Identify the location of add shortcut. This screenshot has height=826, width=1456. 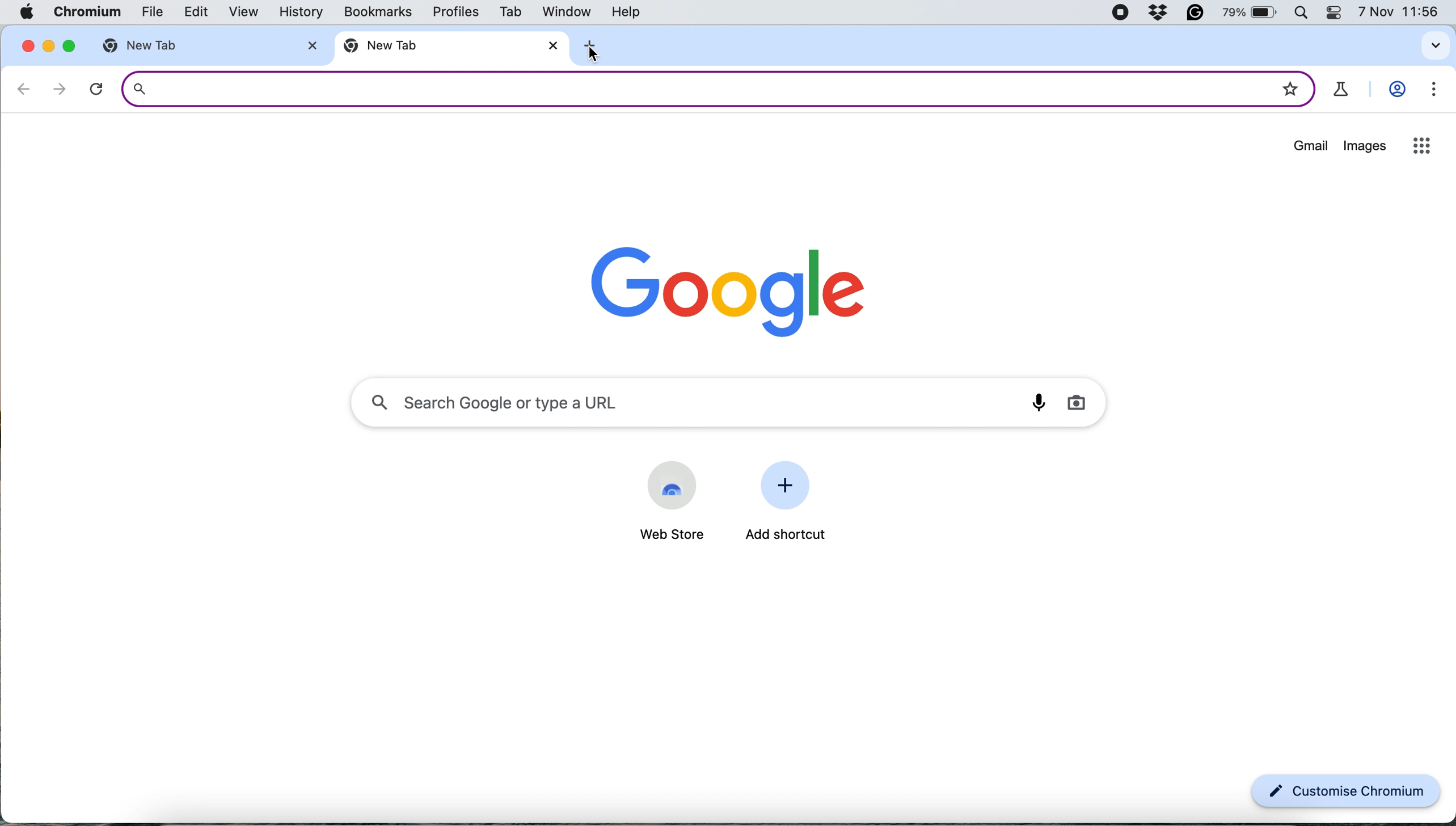
(790, 487).